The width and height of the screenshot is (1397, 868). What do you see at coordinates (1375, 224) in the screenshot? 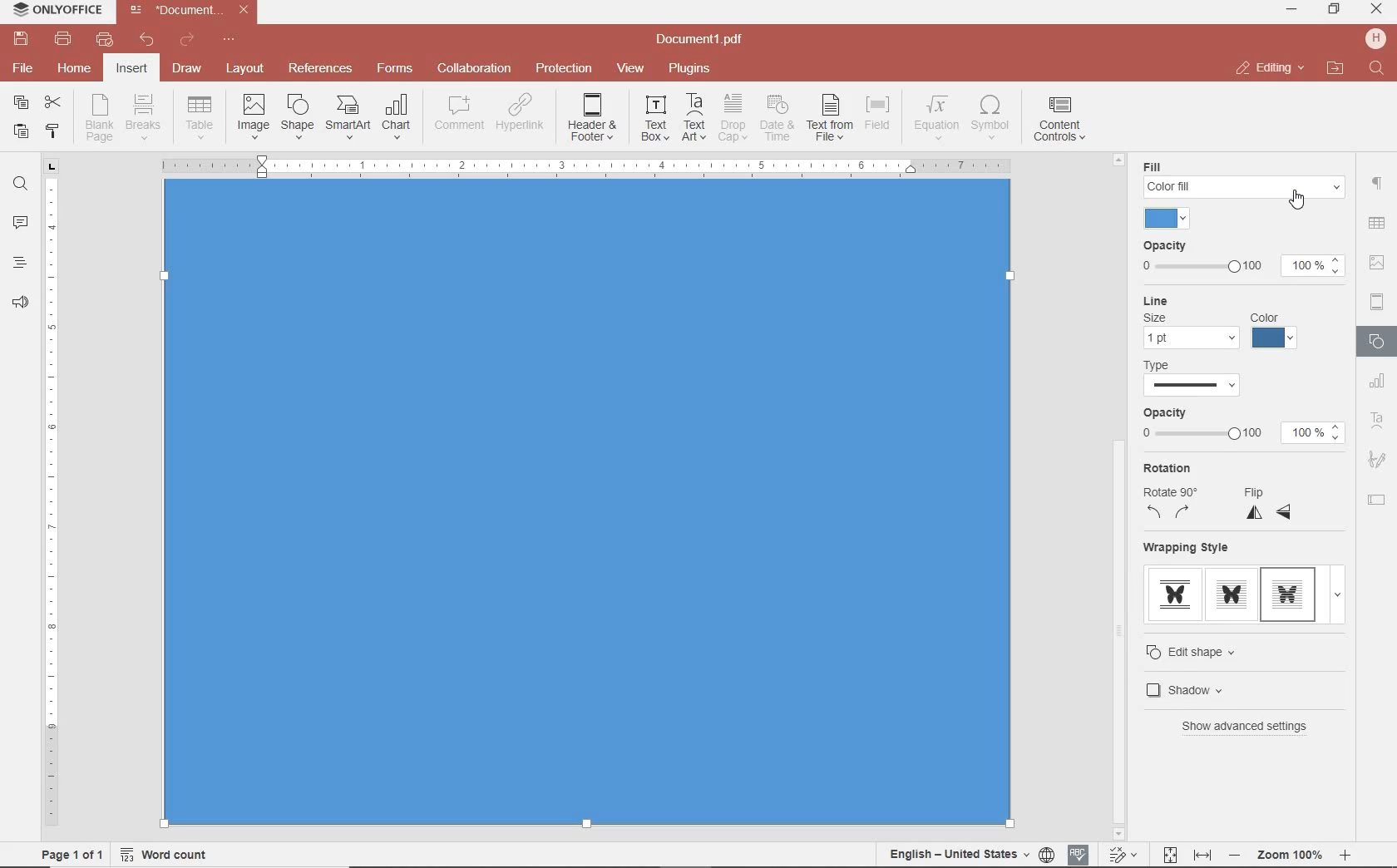
I see `` at bounding box center [1375, 224].